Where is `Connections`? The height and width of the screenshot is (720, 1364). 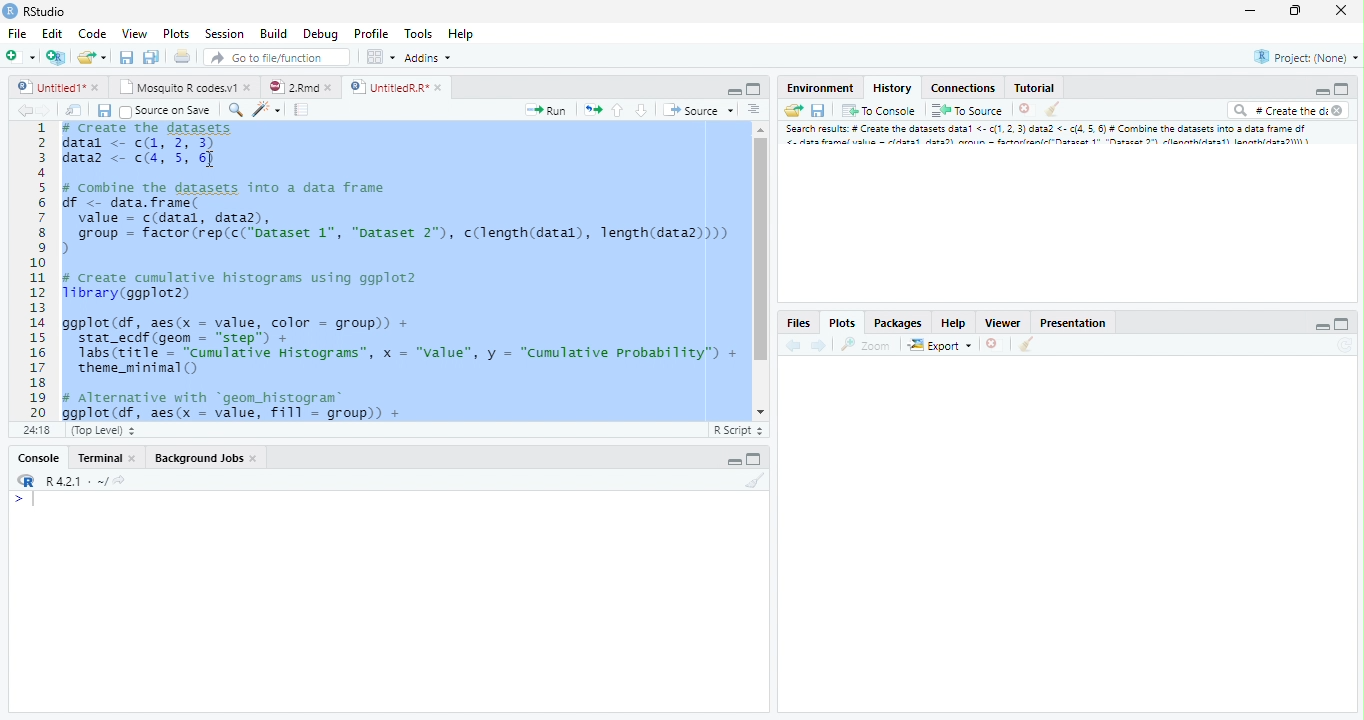
Connections is located at coordinates (964, 88).